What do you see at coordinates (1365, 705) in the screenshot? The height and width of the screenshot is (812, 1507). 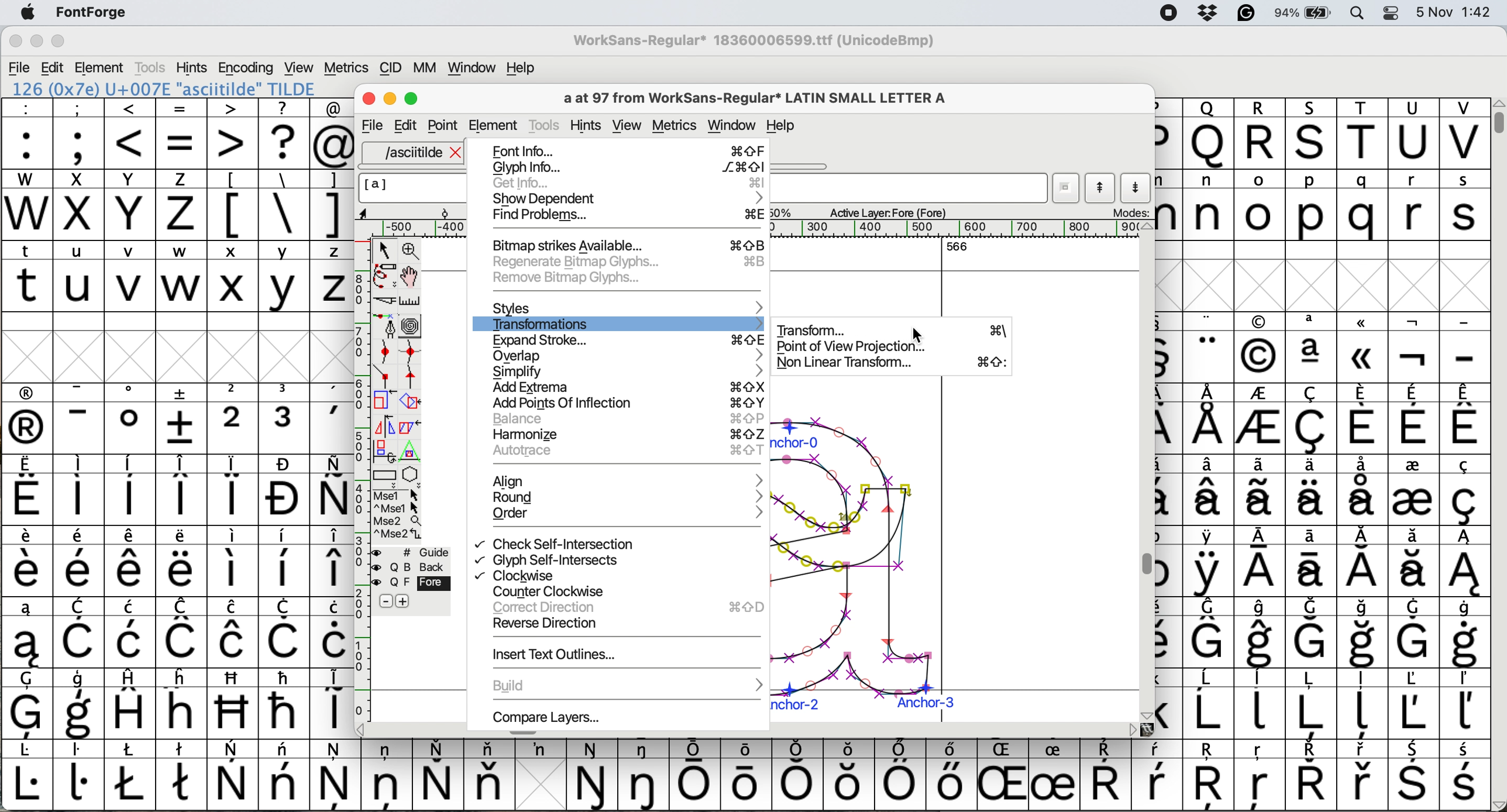 I see `symbol` at bounding box center [1365, 705].